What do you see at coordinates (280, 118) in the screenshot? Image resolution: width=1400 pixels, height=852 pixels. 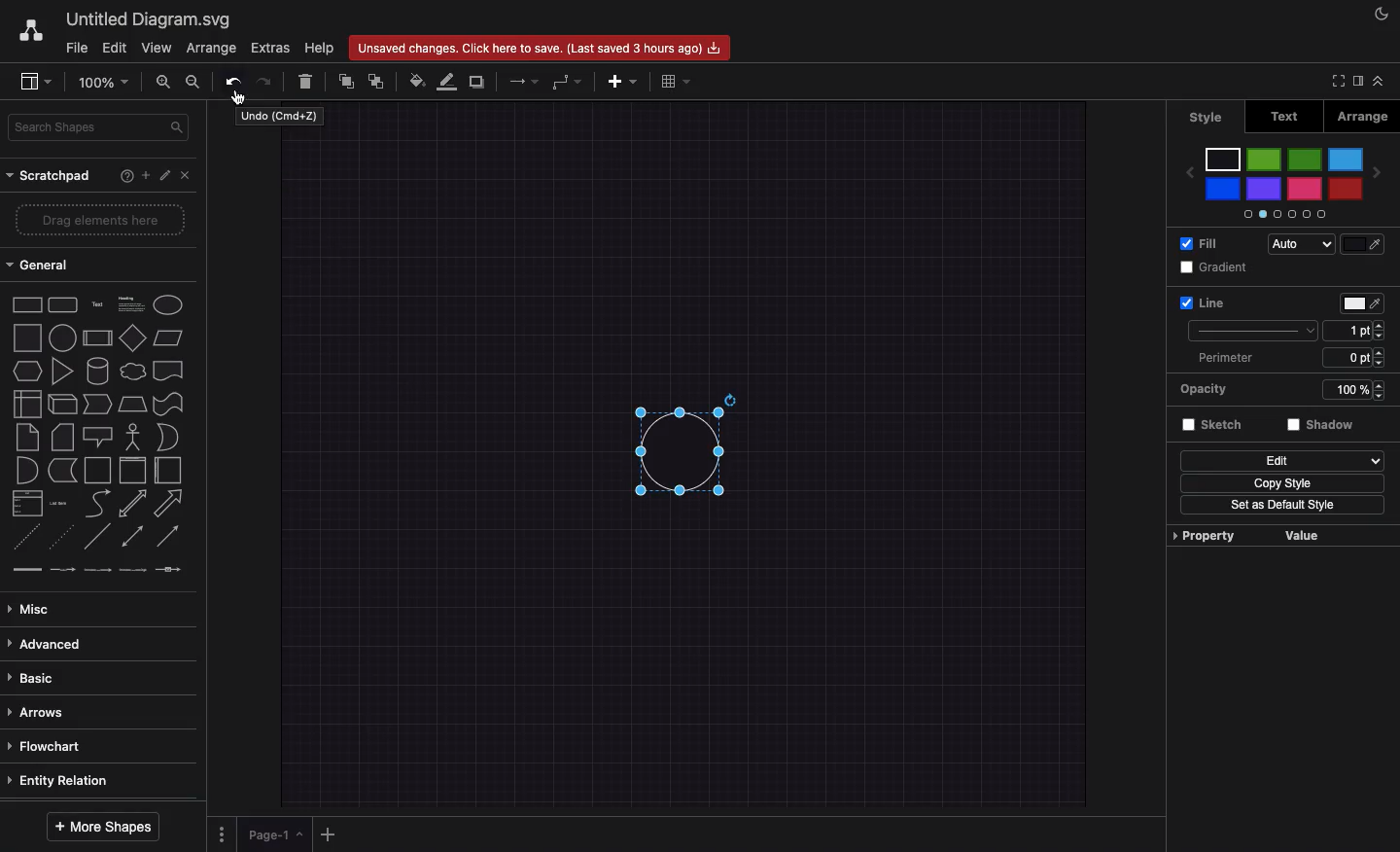 I see `undo (ctrl+z)` at bounding box center [280, 118].